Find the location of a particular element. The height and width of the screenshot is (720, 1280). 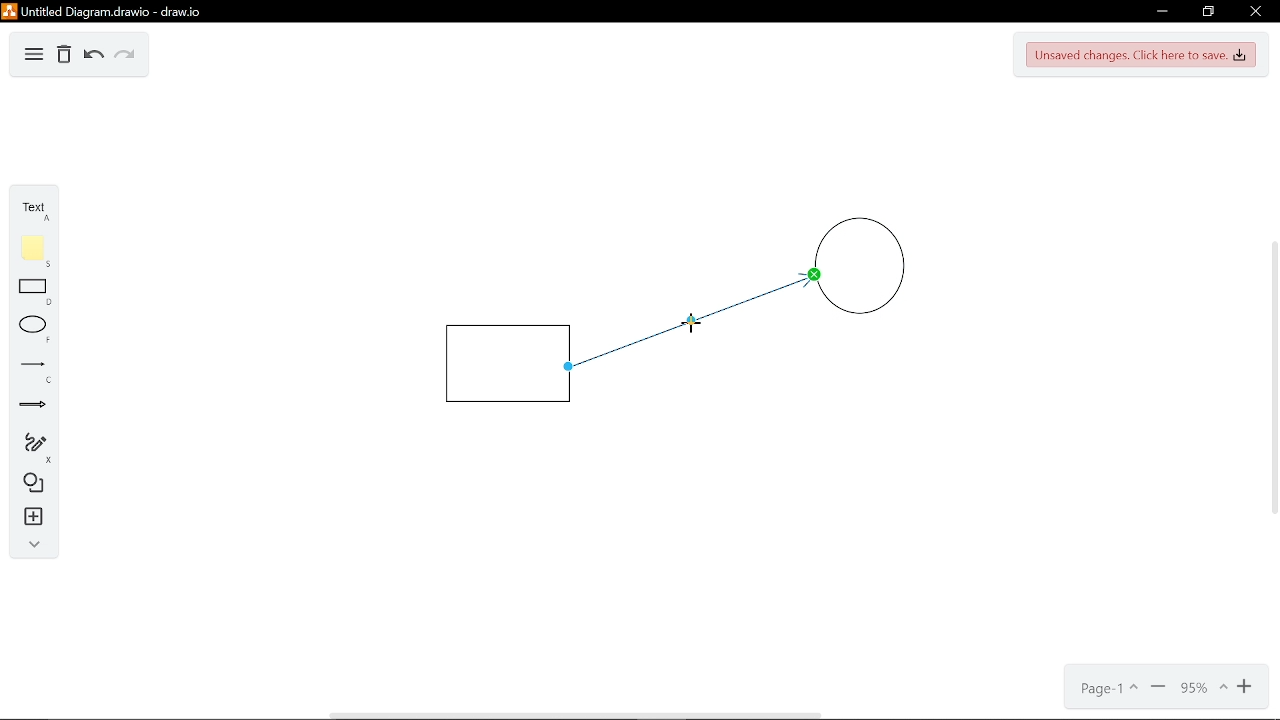

Unsaved changes. Click here to save. is located at coordinates (1140, 56).